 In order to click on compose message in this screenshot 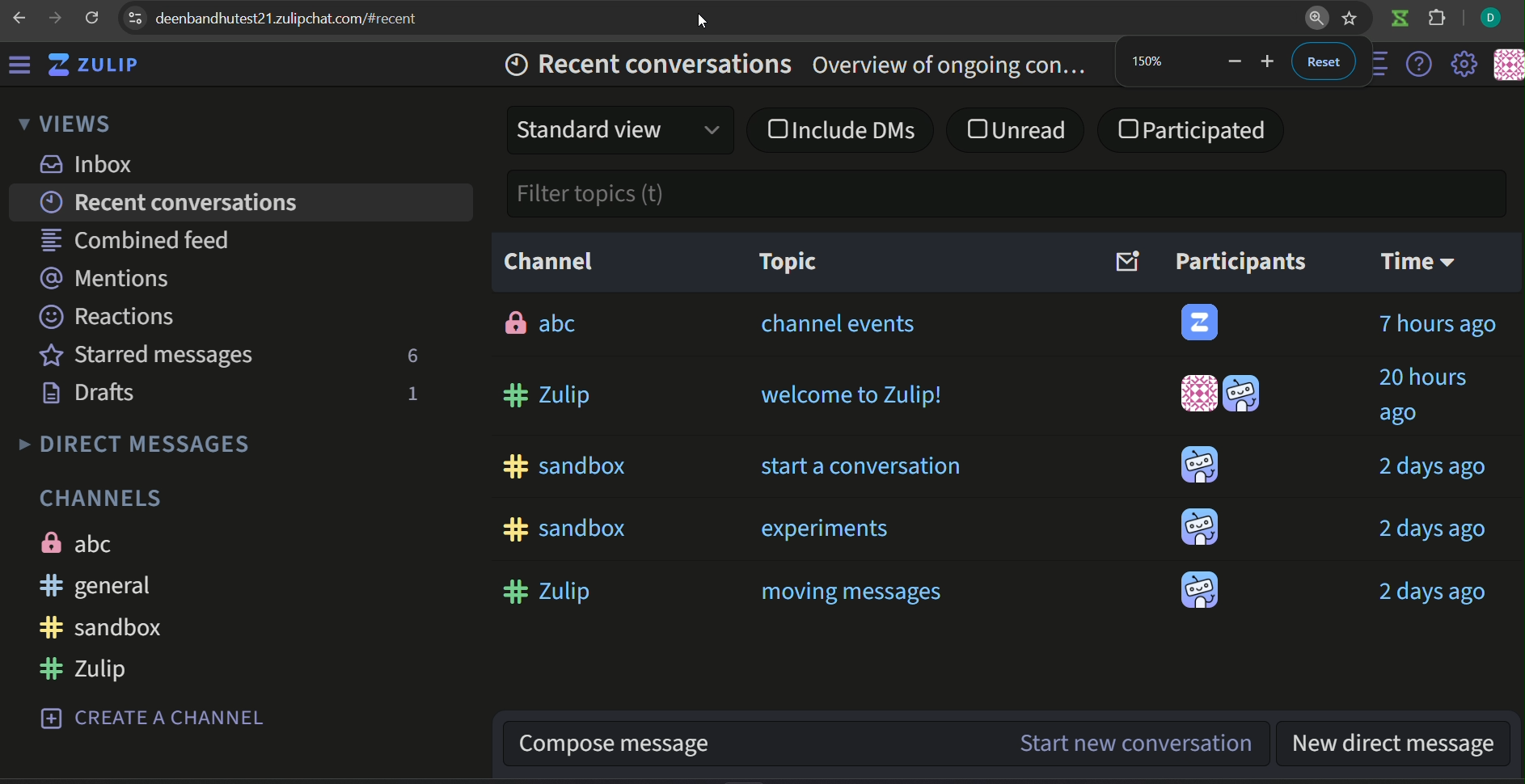, I will do `click(751, 746)`.